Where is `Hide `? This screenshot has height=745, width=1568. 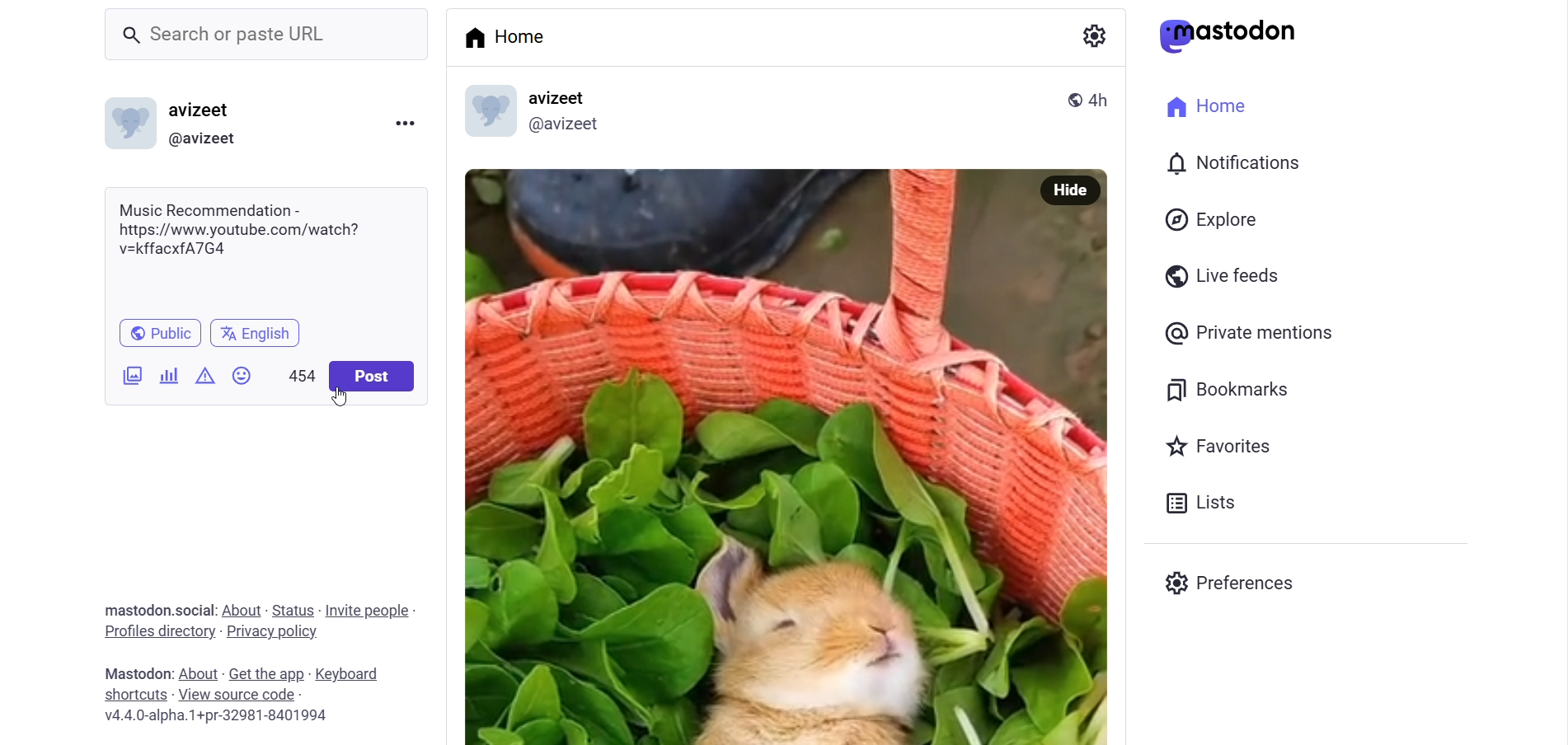 Hide  is located at coordinates (1069, 189).